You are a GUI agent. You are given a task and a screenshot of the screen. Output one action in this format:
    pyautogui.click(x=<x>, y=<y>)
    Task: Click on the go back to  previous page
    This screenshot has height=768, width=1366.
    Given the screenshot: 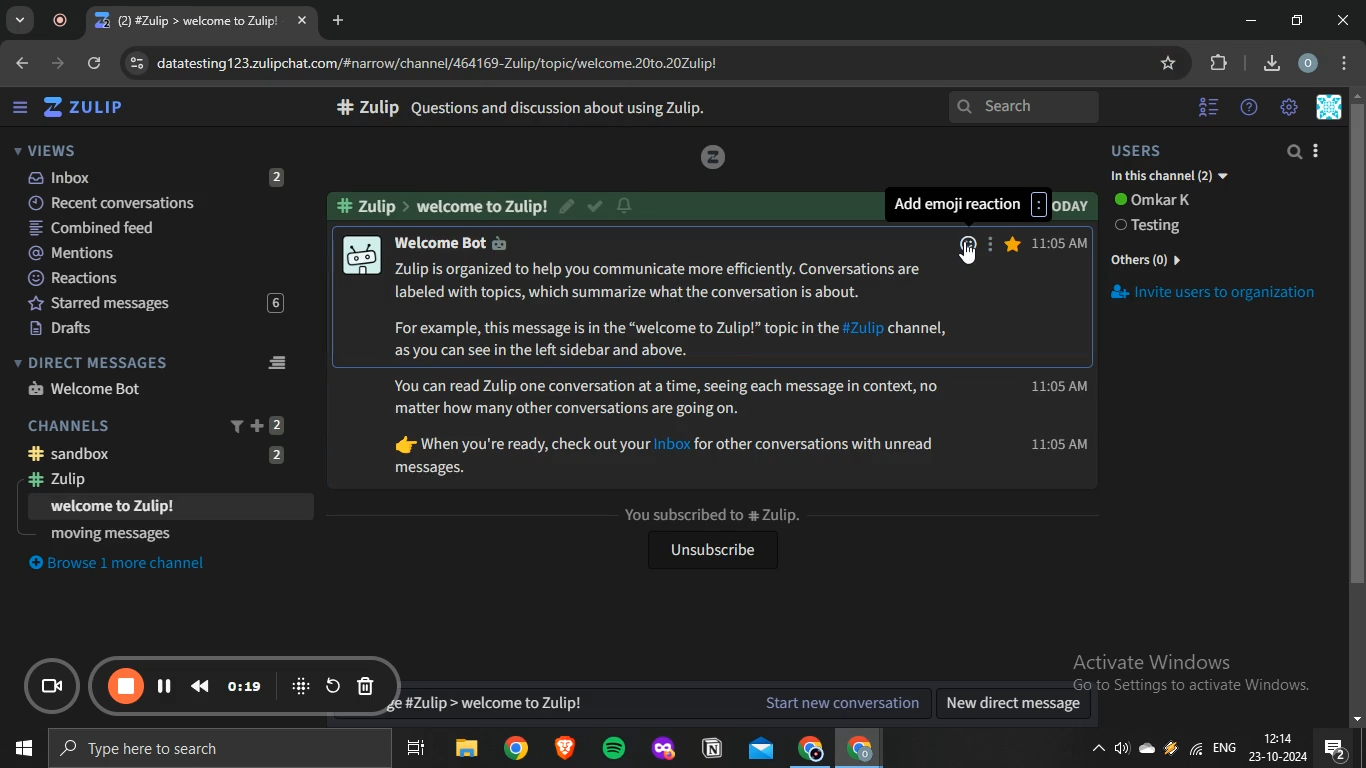 What is the action you would take?
    pyautogui.click(x=20, y=61)
    